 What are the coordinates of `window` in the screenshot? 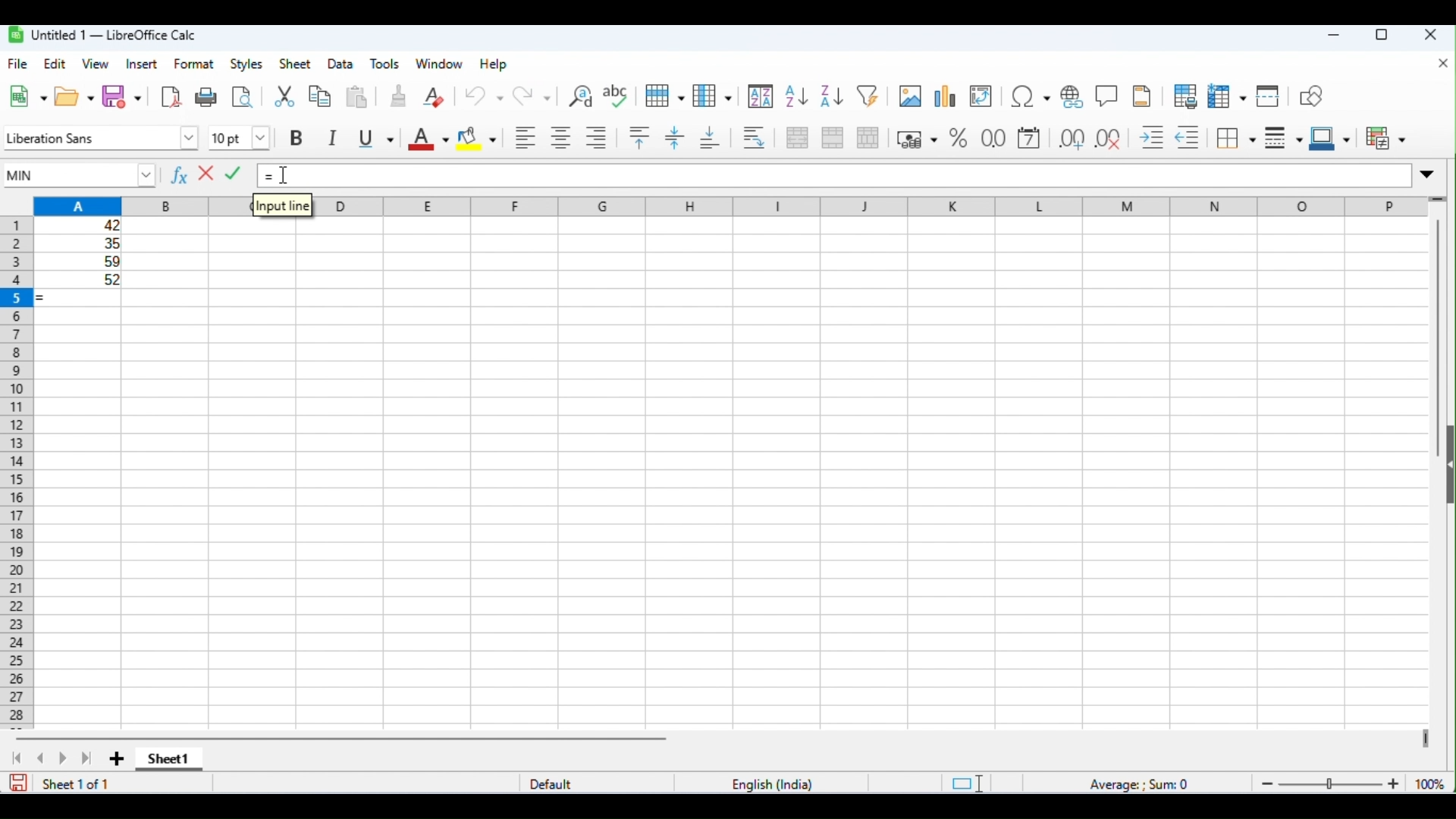 It's located at (440, 65).